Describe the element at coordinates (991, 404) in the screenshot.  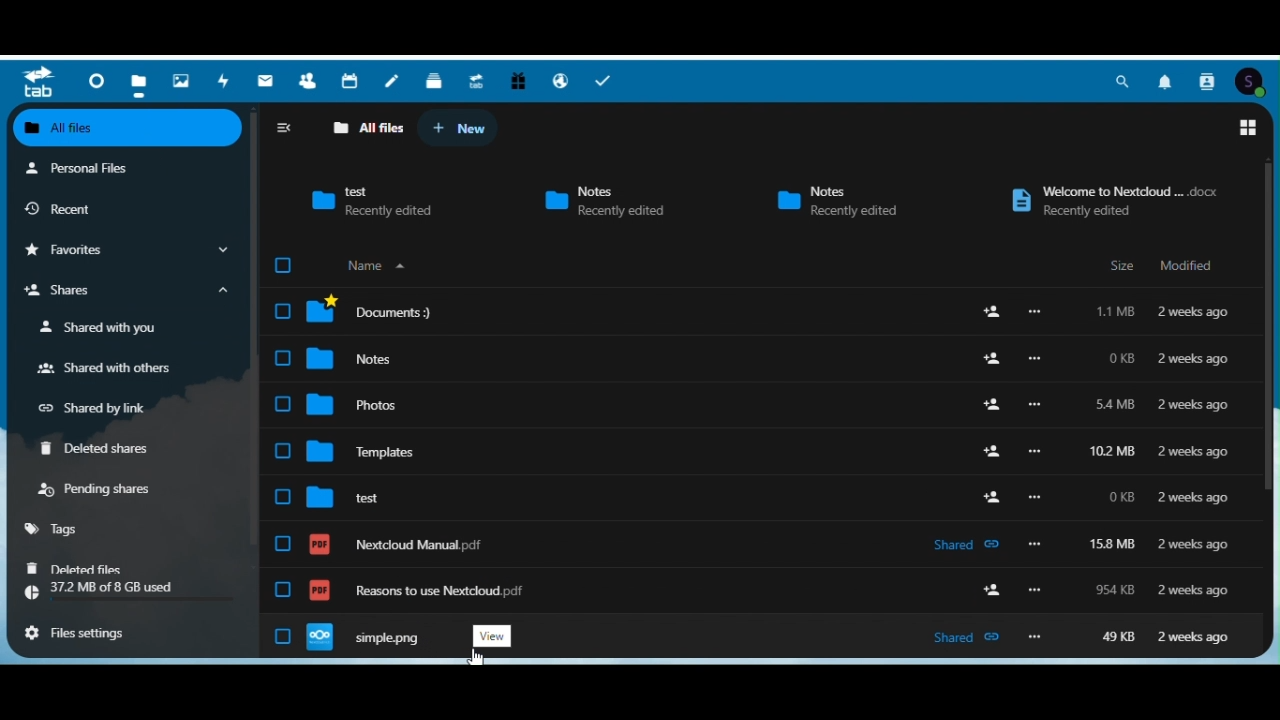
I see `add` at that location.